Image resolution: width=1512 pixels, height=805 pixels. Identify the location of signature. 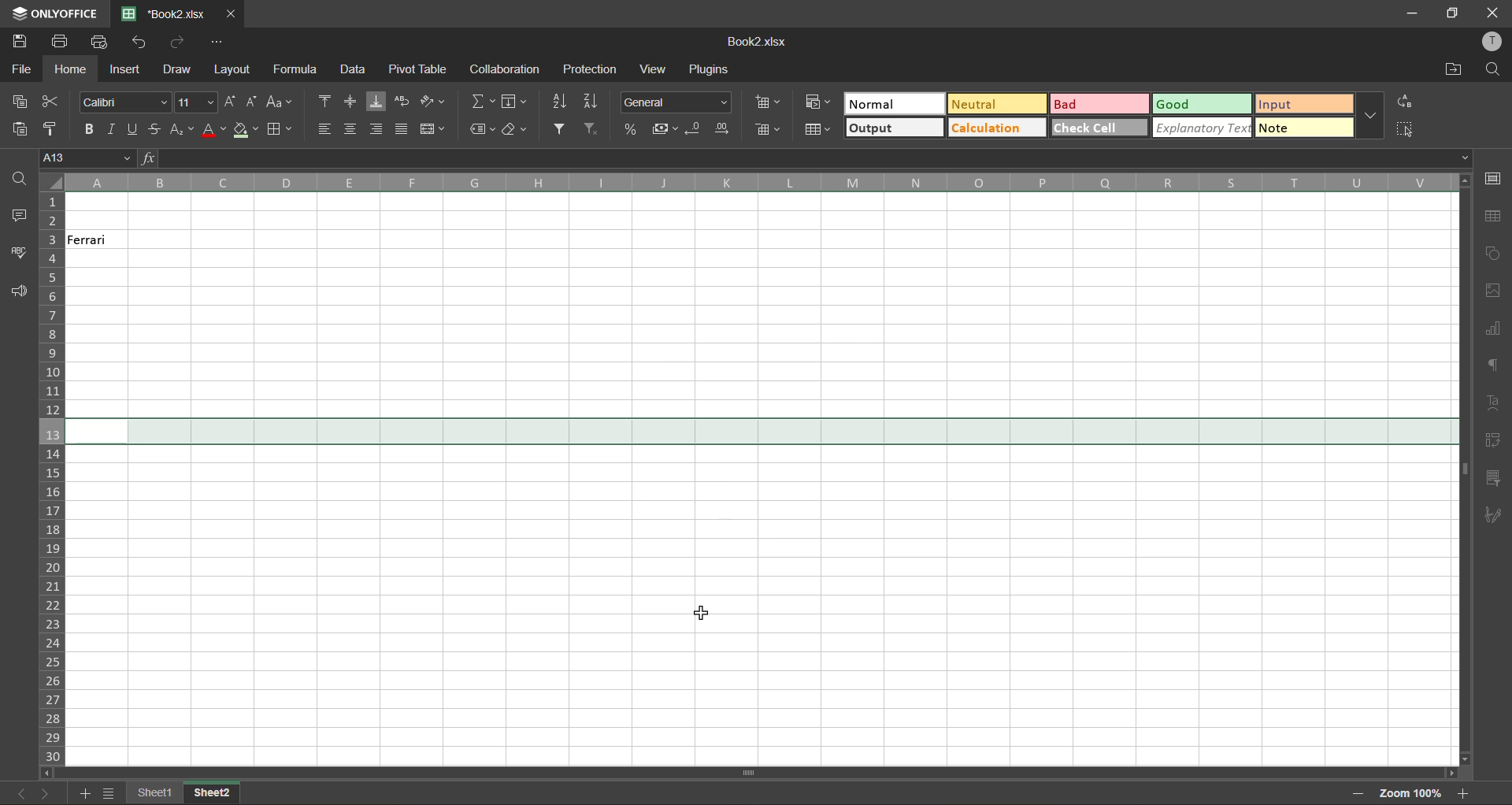
(1493, 514).